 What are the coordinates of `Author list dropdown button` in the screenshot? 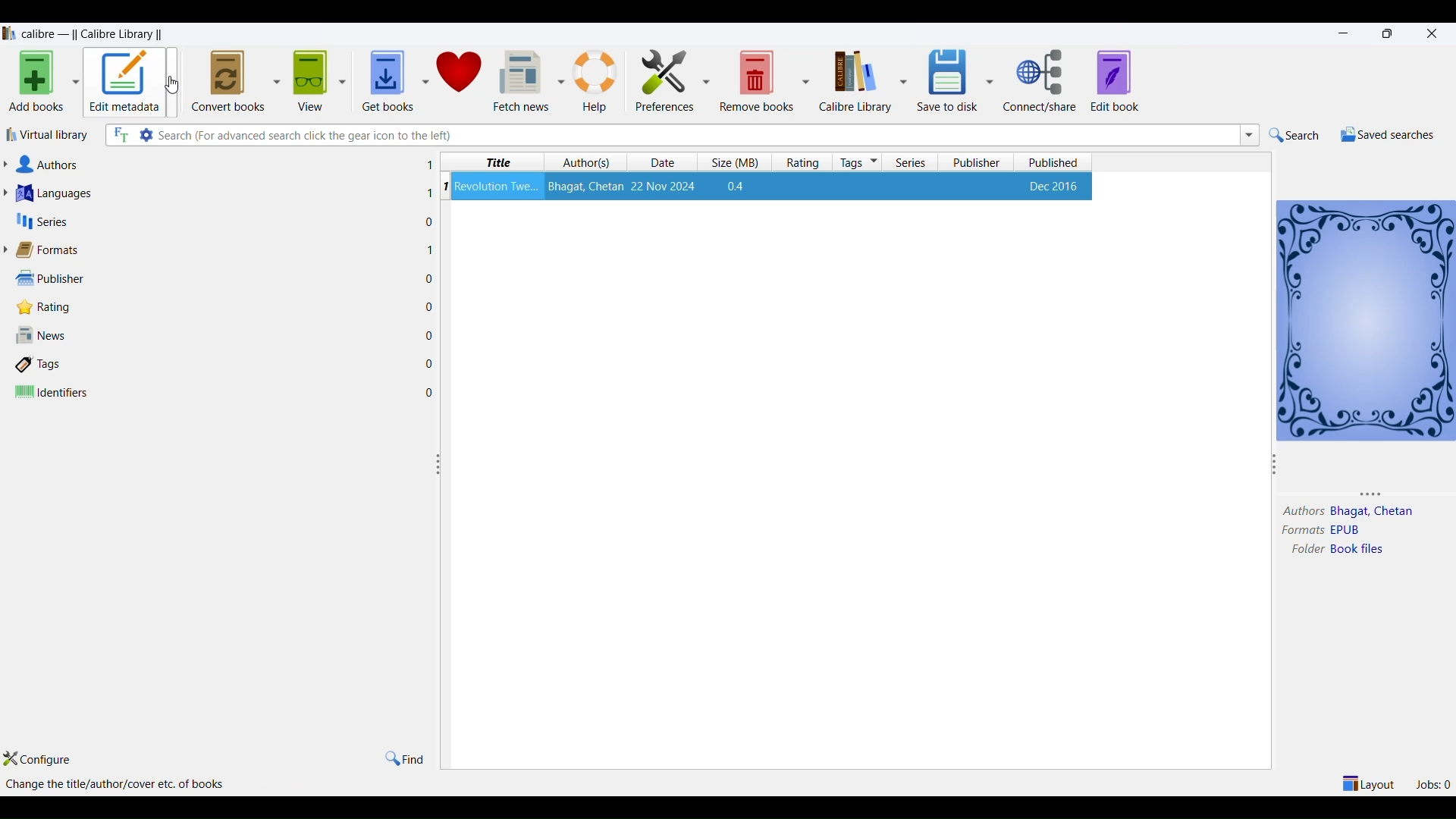 It's located at (10, 165).